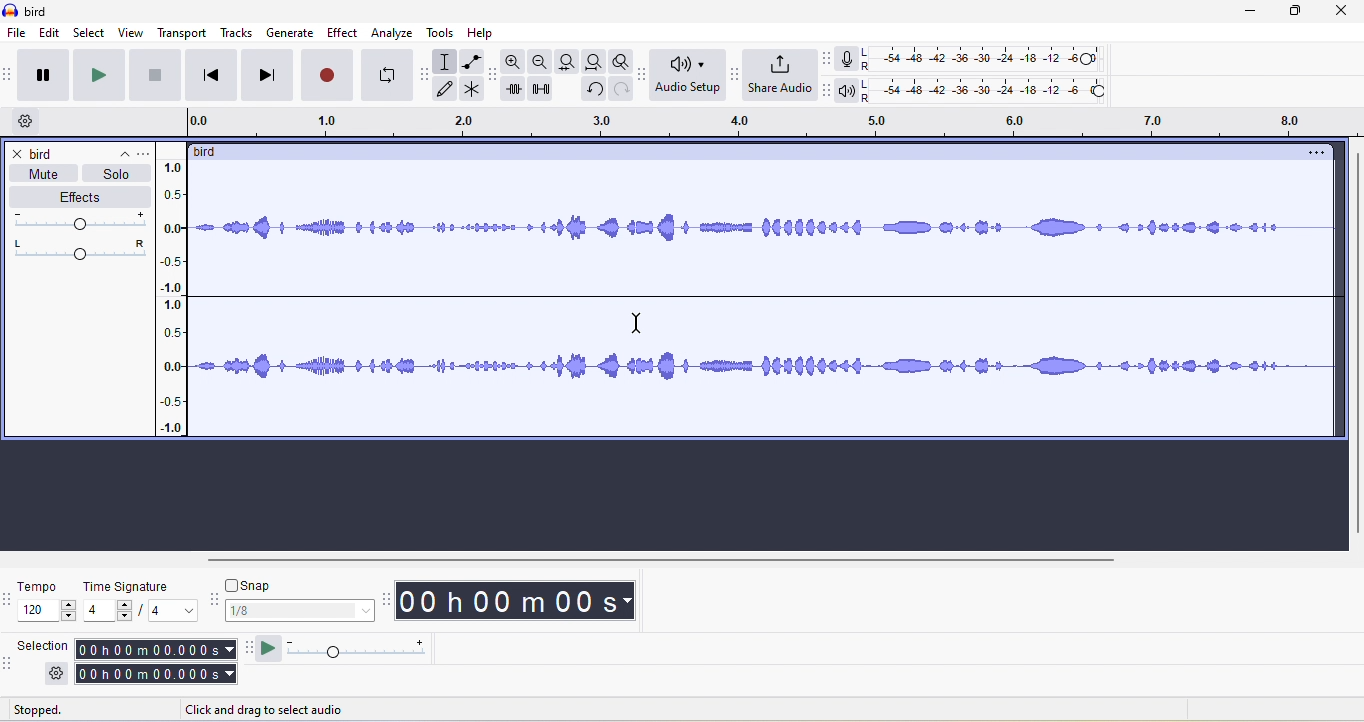 The width and height of the screenshot is (1364, 722). What do you see at coordinates (778, 76) in the screenshot?
I see `share audio` at bounding box center [778, 76].